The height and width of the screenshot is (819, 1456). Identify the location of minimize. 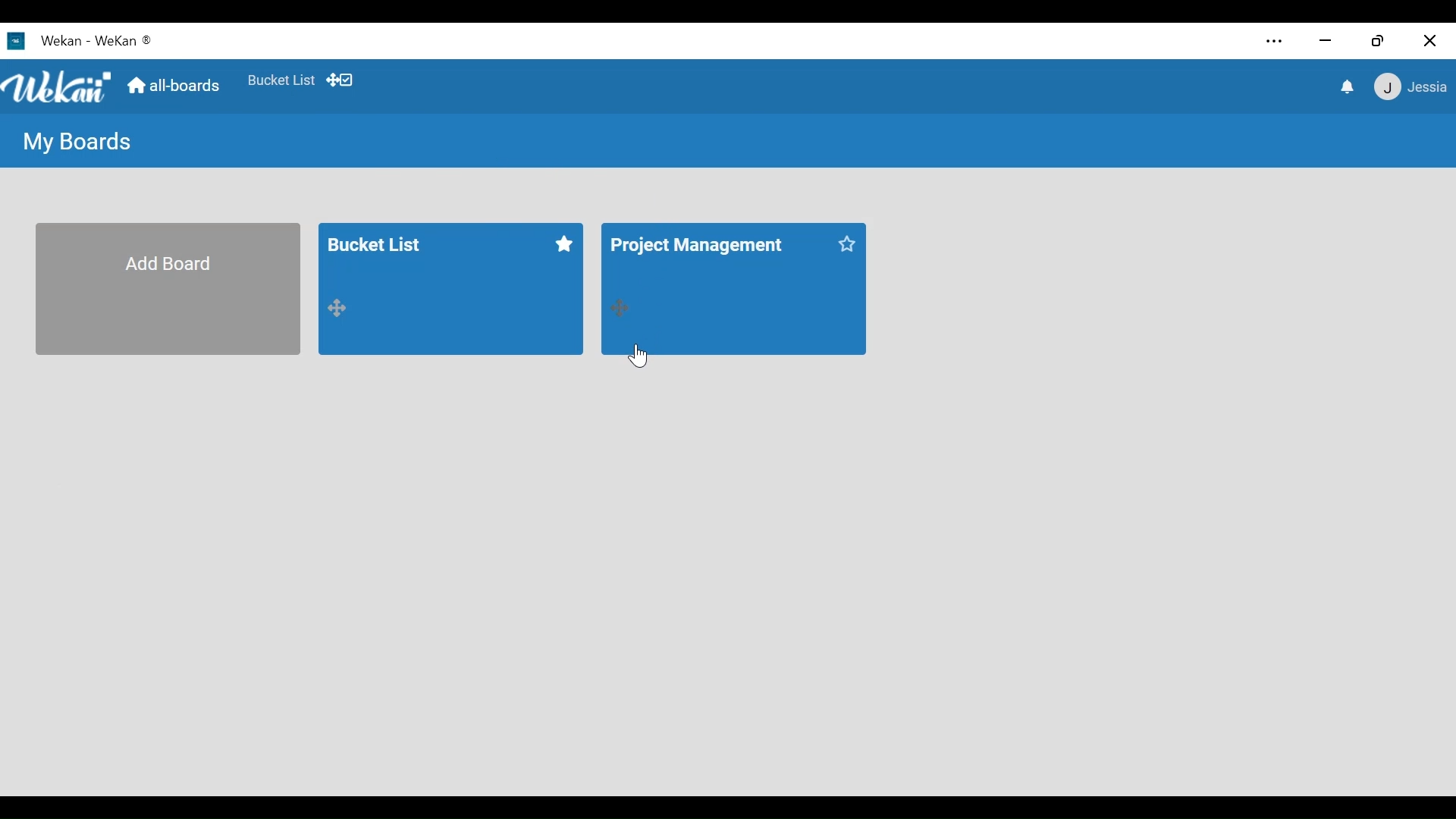
(1326, 40).